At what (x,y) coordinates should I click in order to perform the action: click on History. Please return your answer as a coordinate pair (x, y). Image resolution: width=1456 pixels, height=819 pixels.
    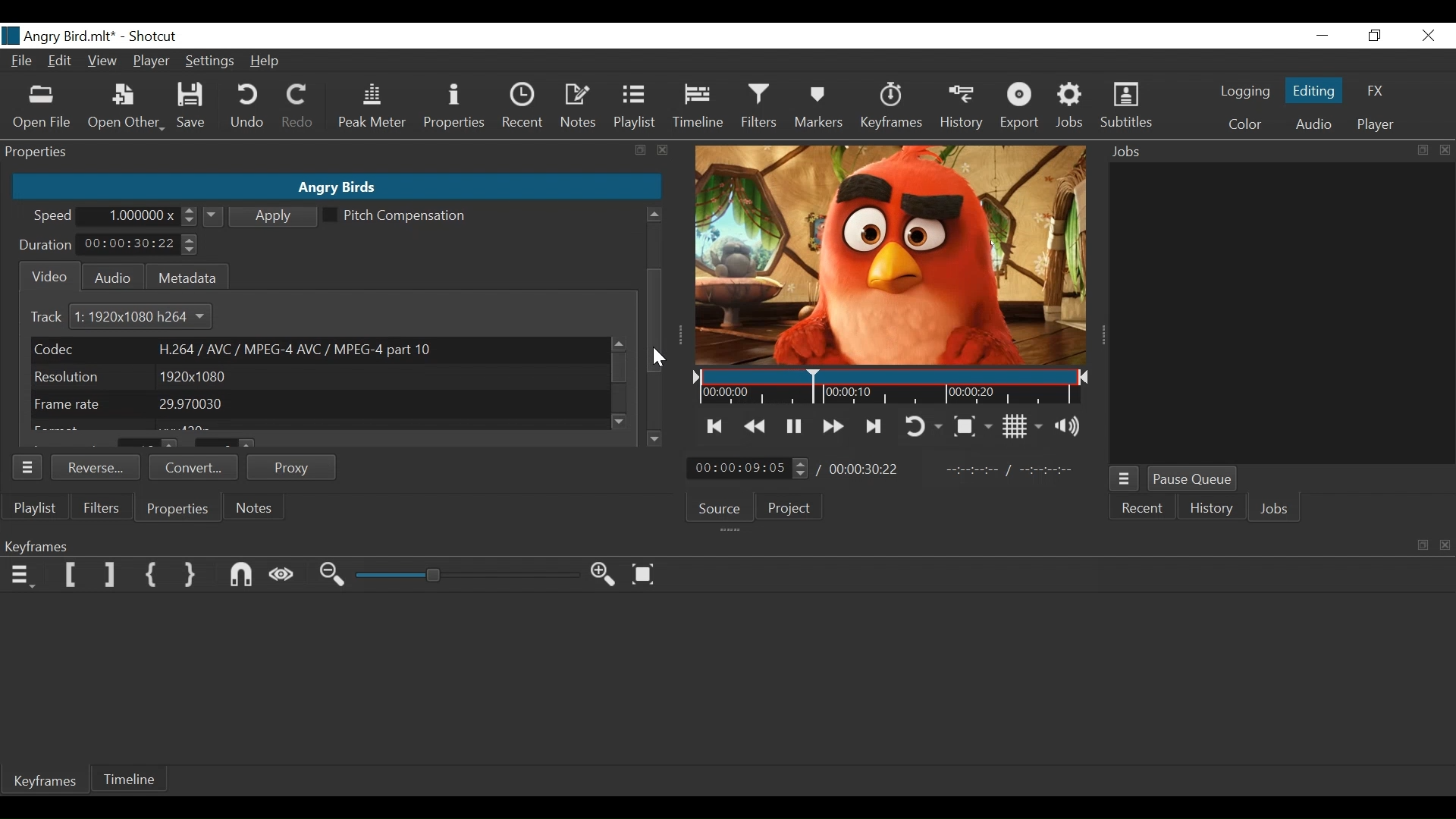
    Looking at the image, I should click on (1209, 510).